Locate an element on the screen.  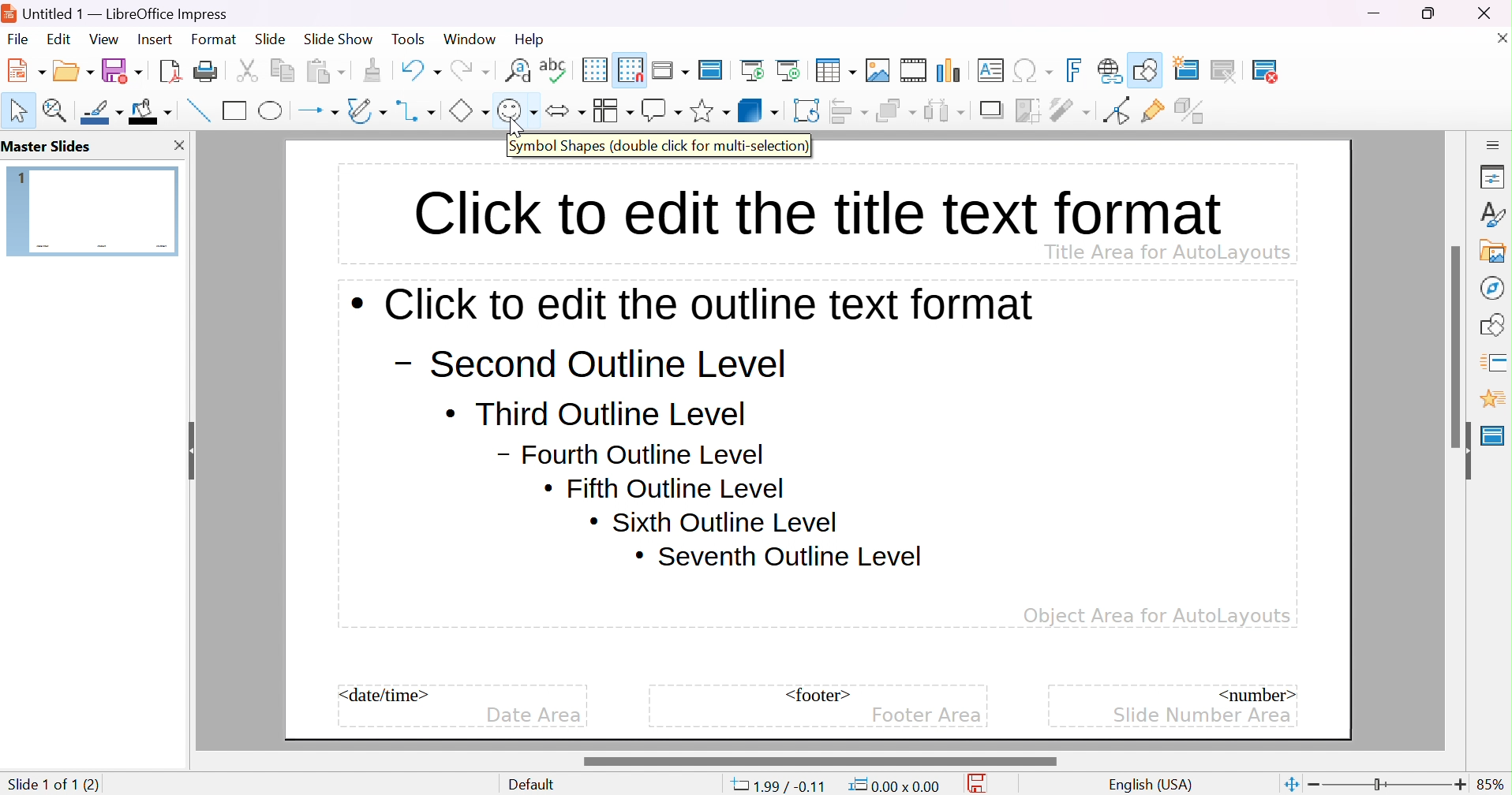
rotate is located at coordinates (808, 110).